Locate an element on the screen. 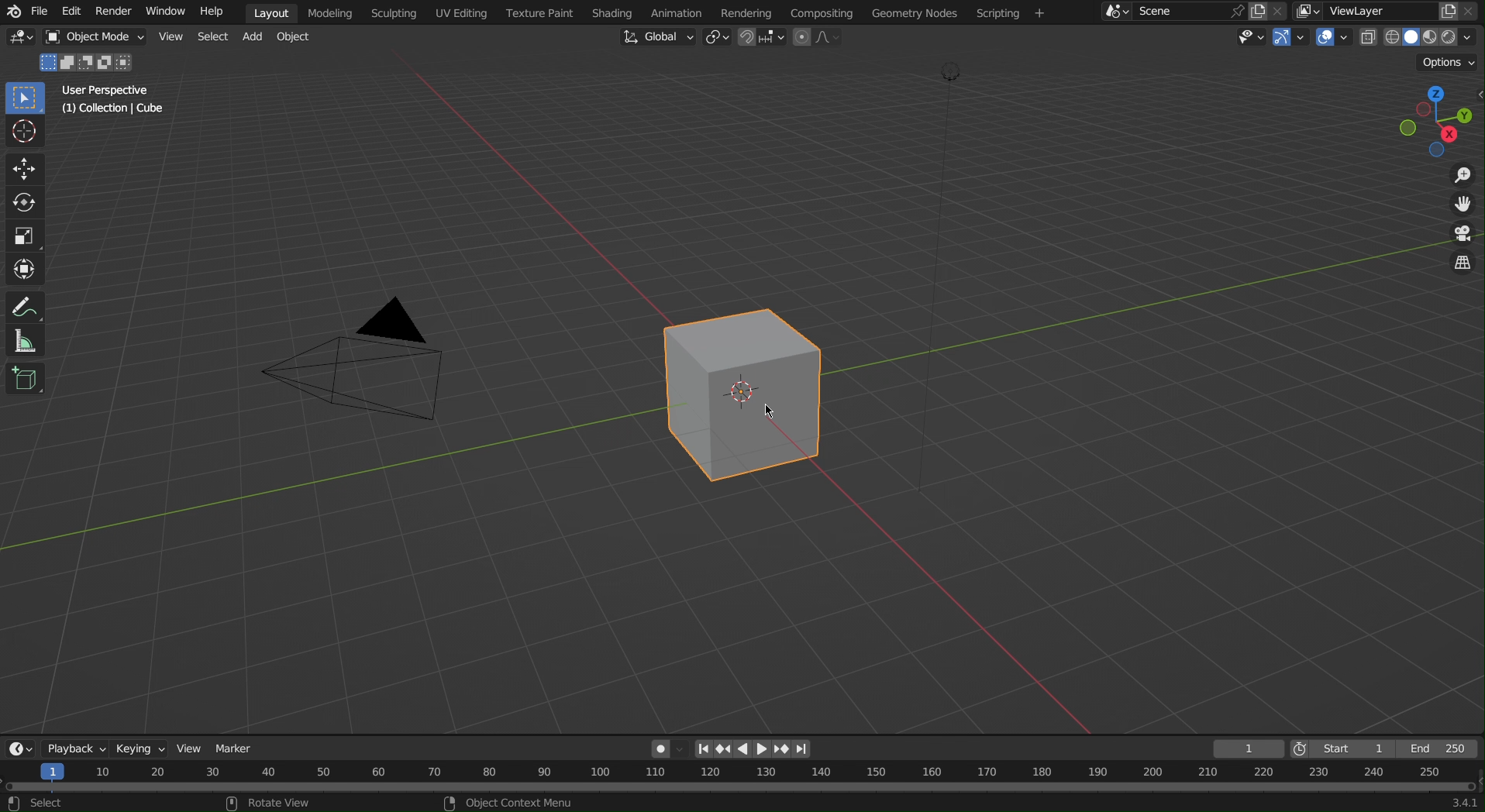  select is located at coordinates (47, 802).